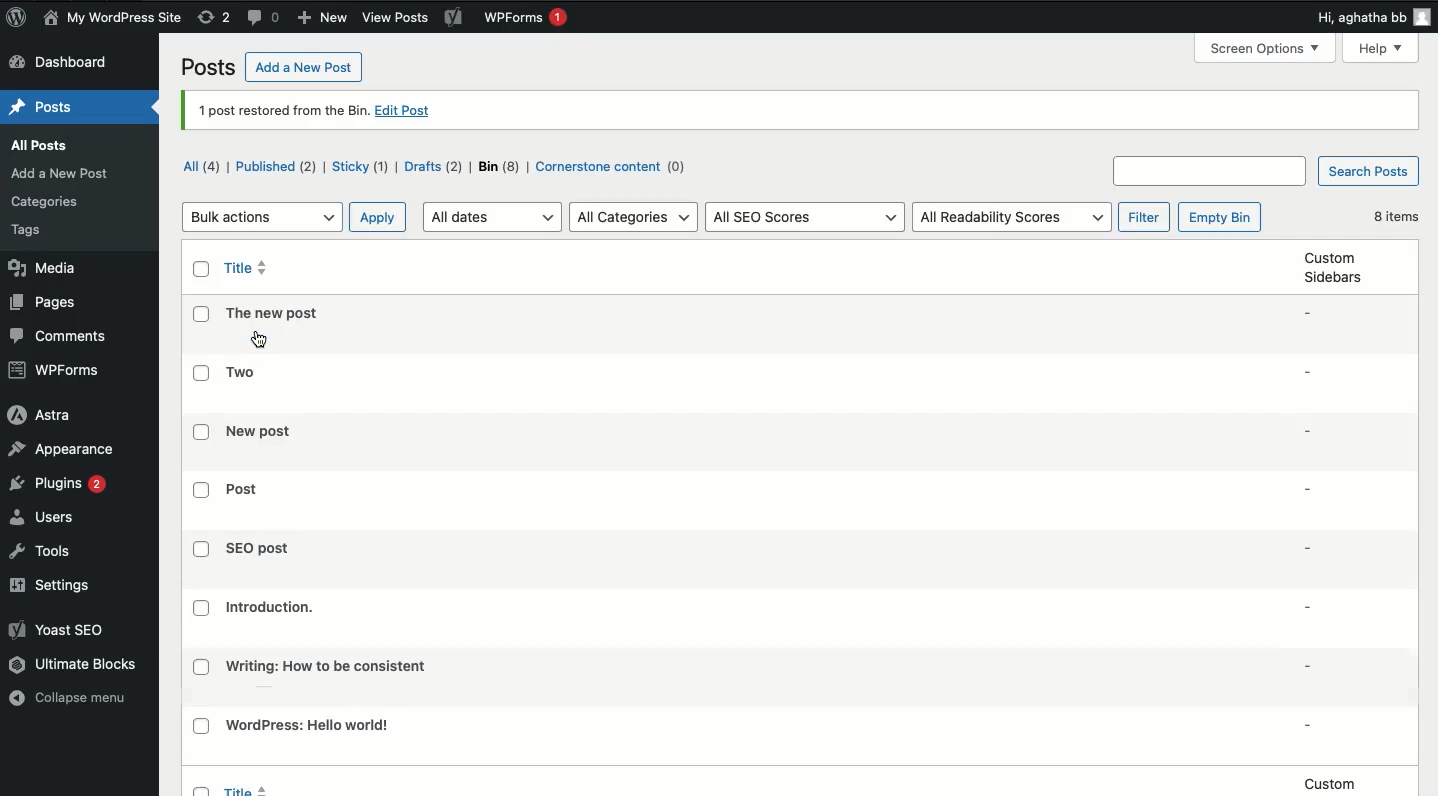 The width and height of the screenshot is (1438, 796). I want to click on empty bin, so click(1222, 217).